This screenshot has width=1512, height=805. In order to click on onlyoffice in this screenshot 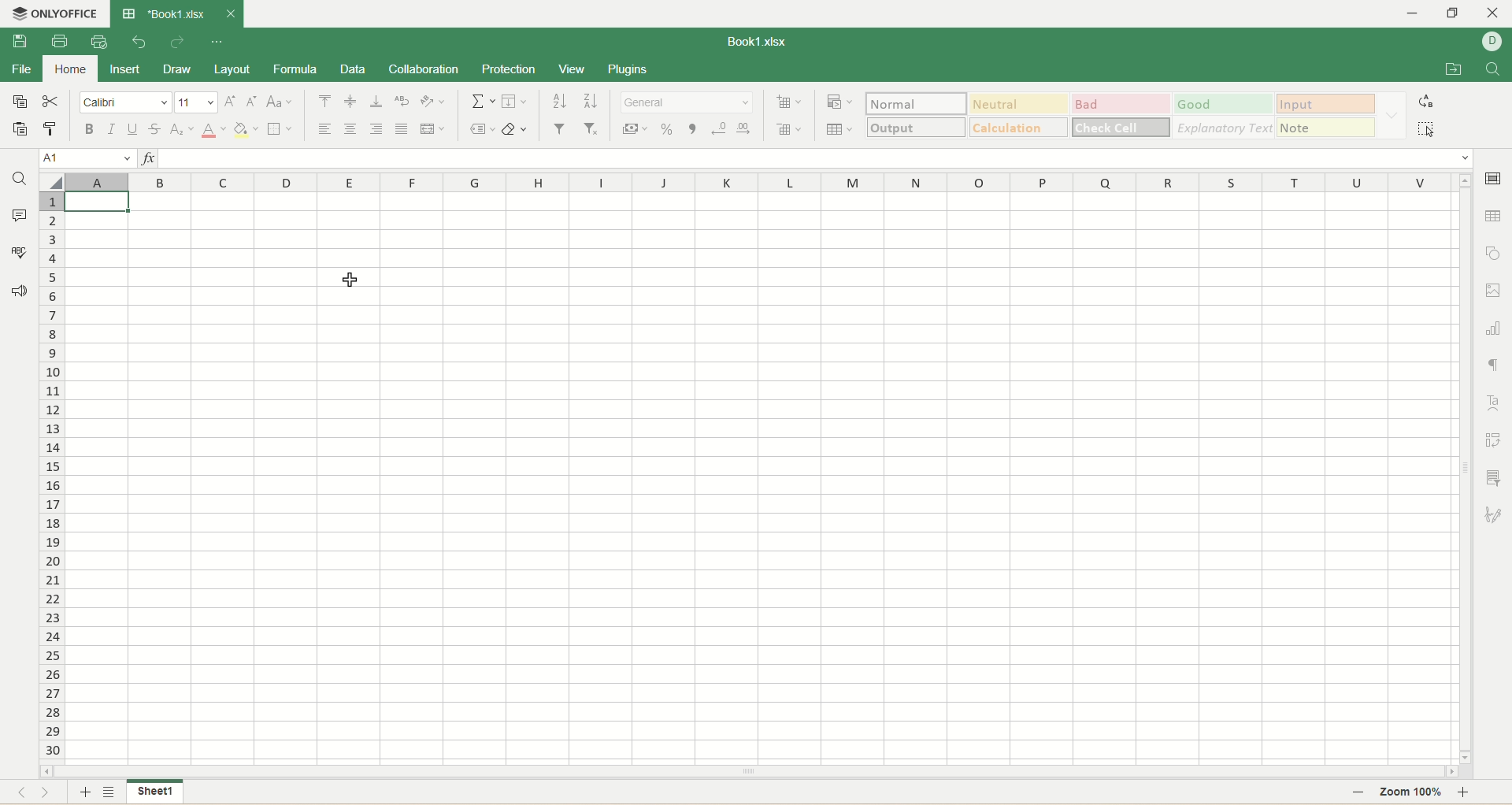, I will do `click(56, 17)`.